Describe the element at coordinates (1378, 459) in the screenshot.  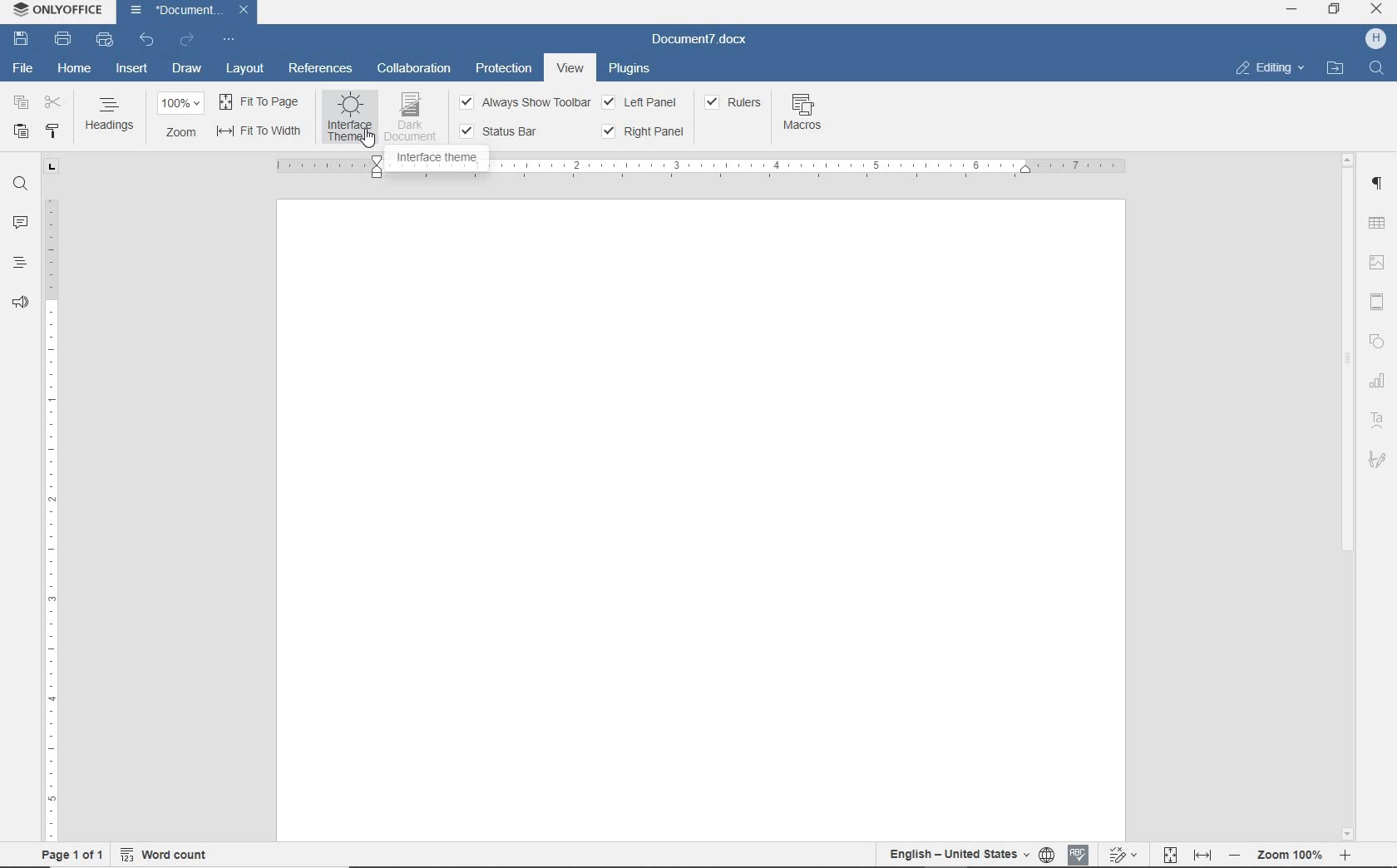
I see `SIGNATURE` at that location.